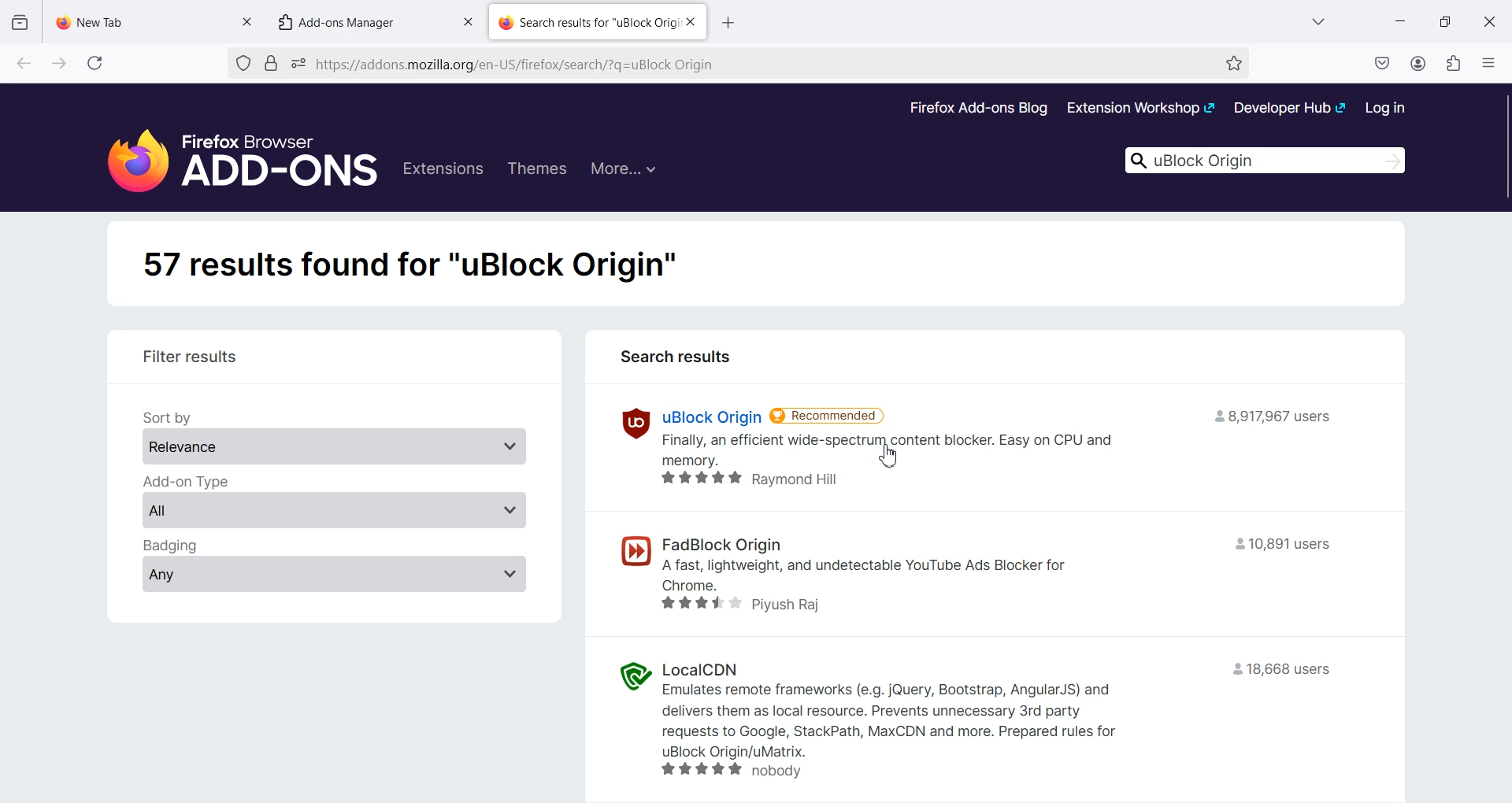 The height and width of the screenshot is (803, 1512). Describe the element at coordinates (344, 21) in the screenshot. I see `Add-ons Manager` at that location.